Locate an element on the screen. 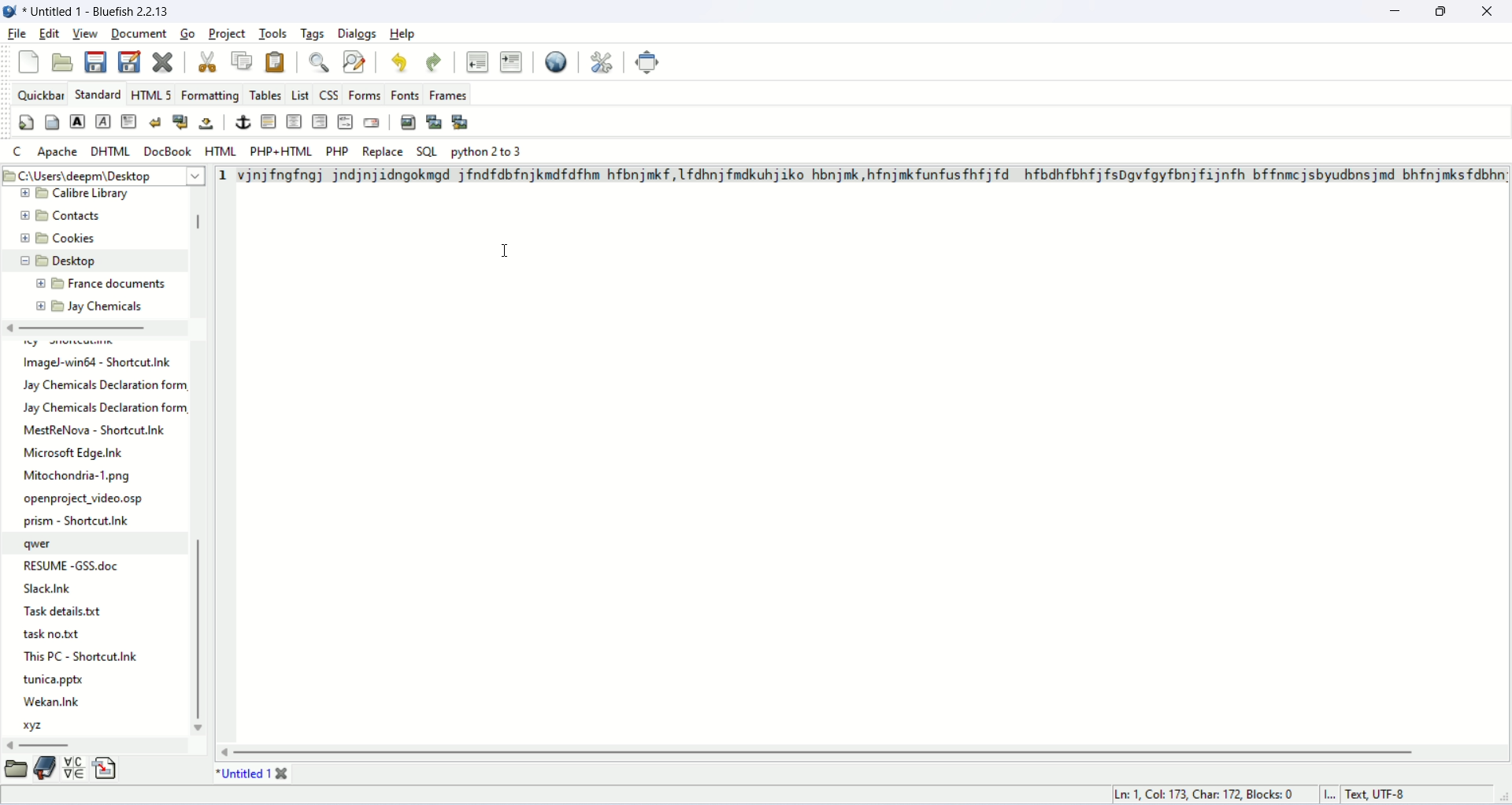 The width and height of the screenshot is (1512, 805). tables is located at coordinates (265, 95).